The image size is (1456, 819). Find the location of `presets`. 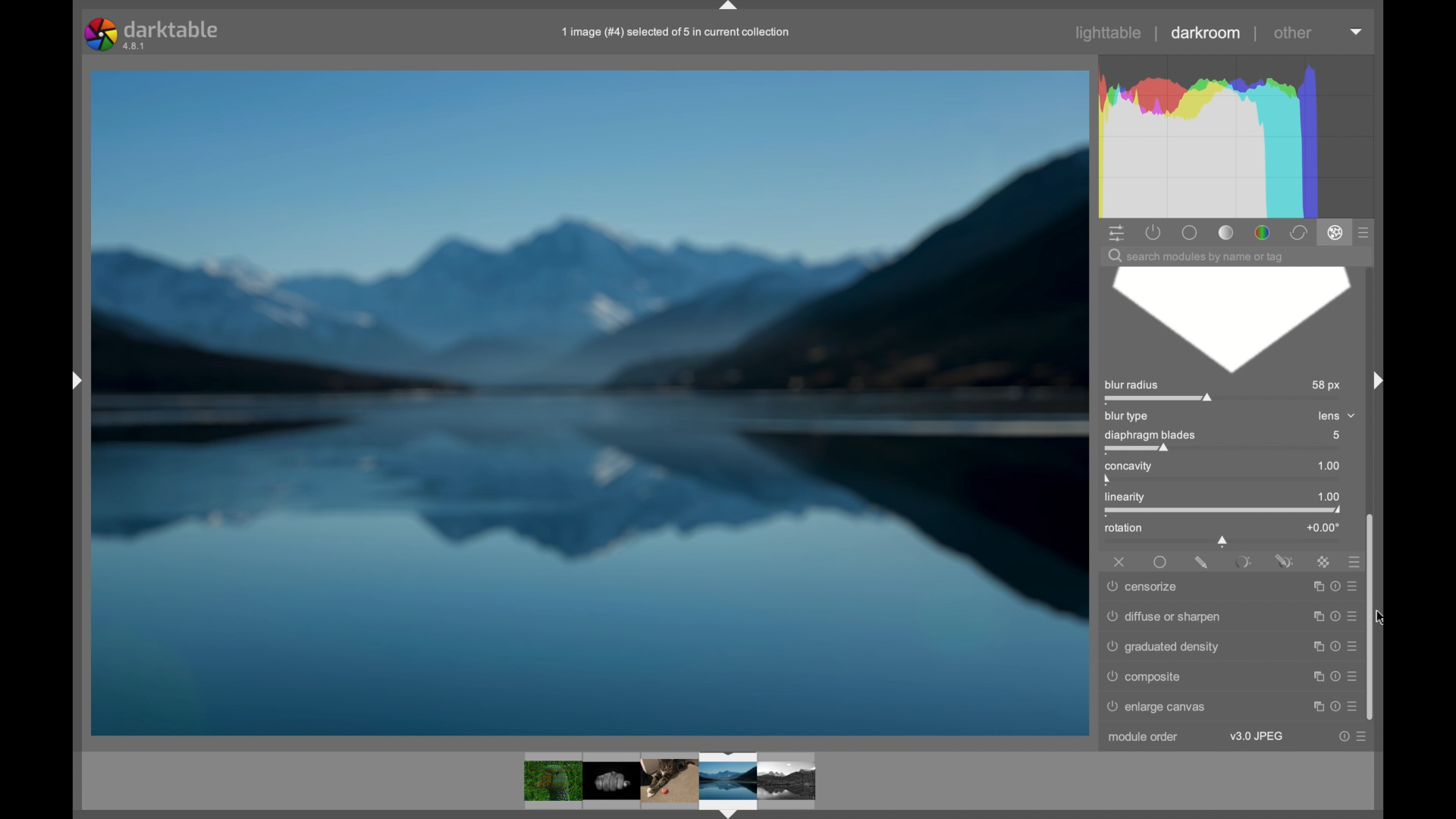

presets is located at coordinates (1350, 561).